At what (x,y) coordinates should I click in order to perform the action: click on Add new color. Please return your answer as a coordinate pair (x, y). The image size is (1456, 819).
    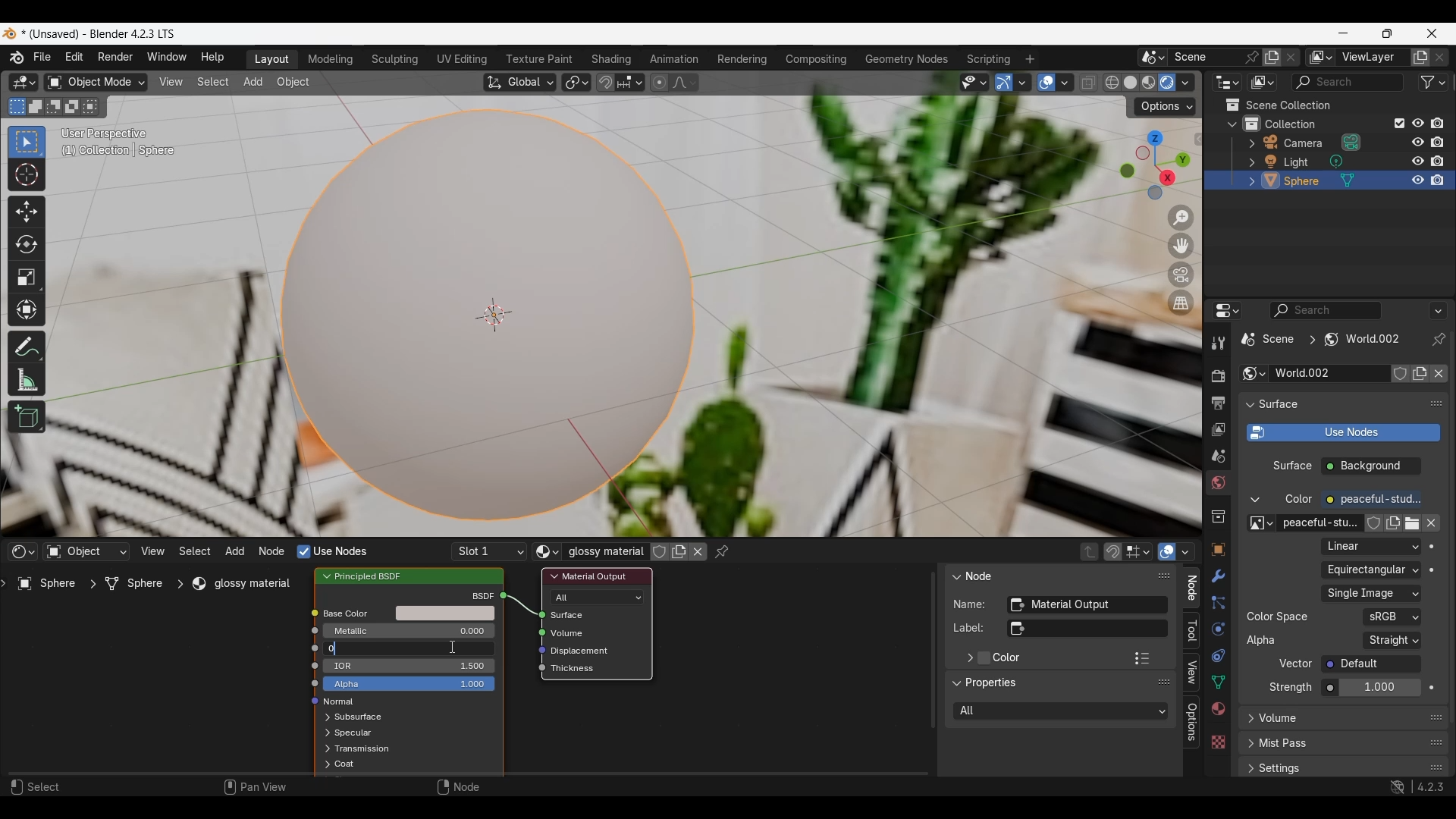
    Looking at the image, I should click on (1392, 523).